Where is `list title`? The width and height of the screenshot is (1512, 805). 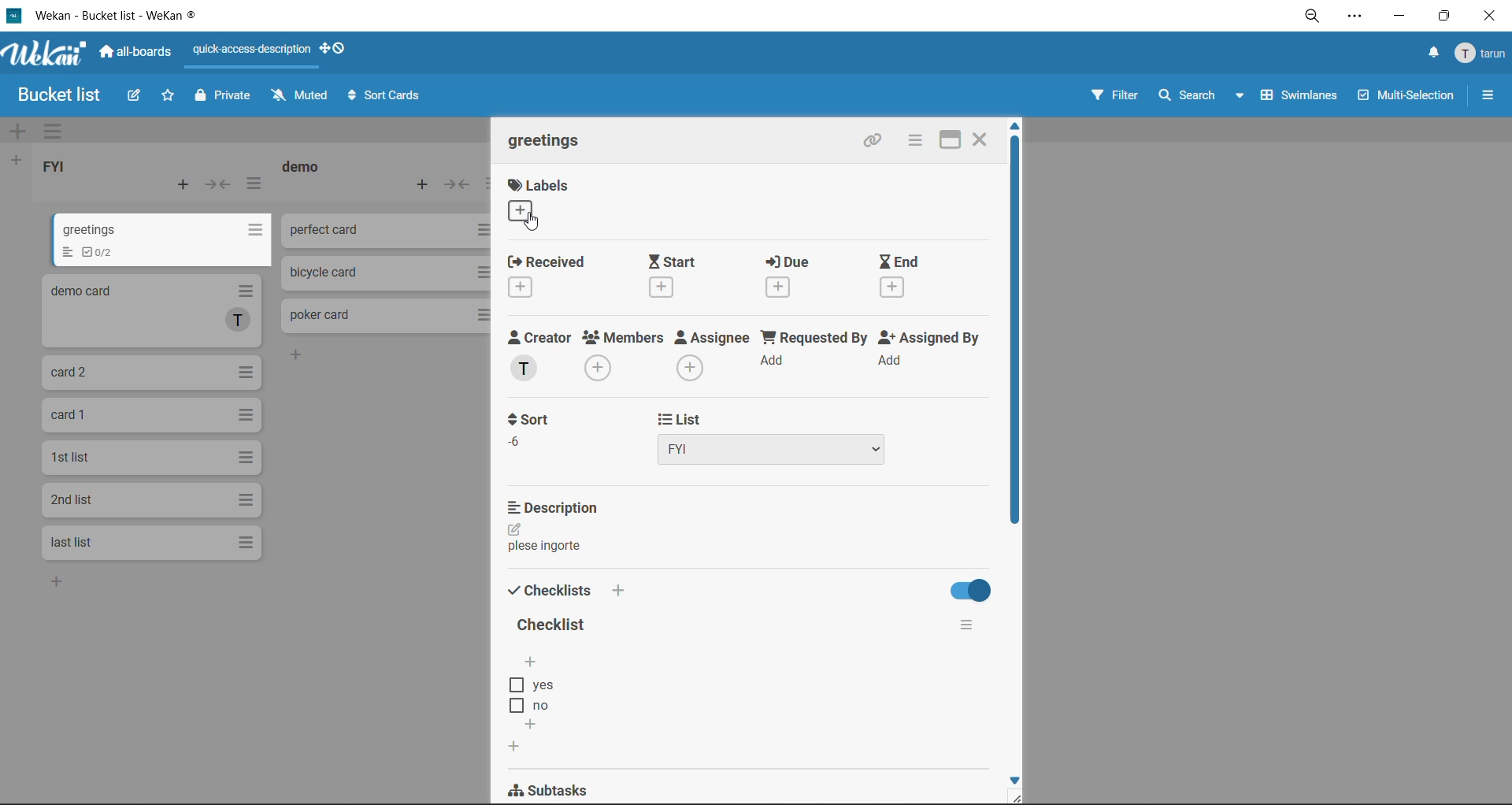
list title is located at coordinates (55, 165).